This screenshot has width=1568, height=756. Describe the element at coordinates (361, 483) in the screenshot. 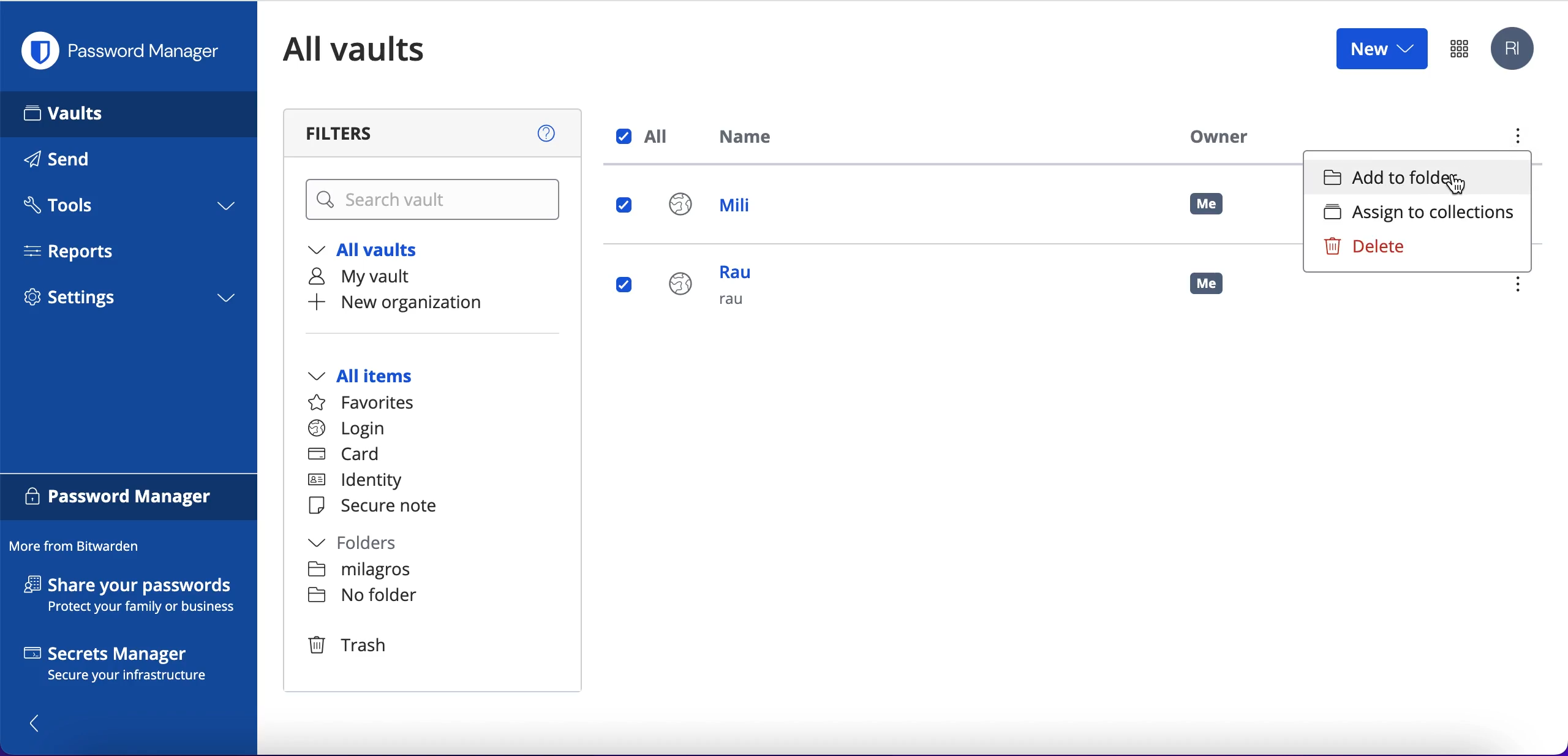

I see `identity` at that location.